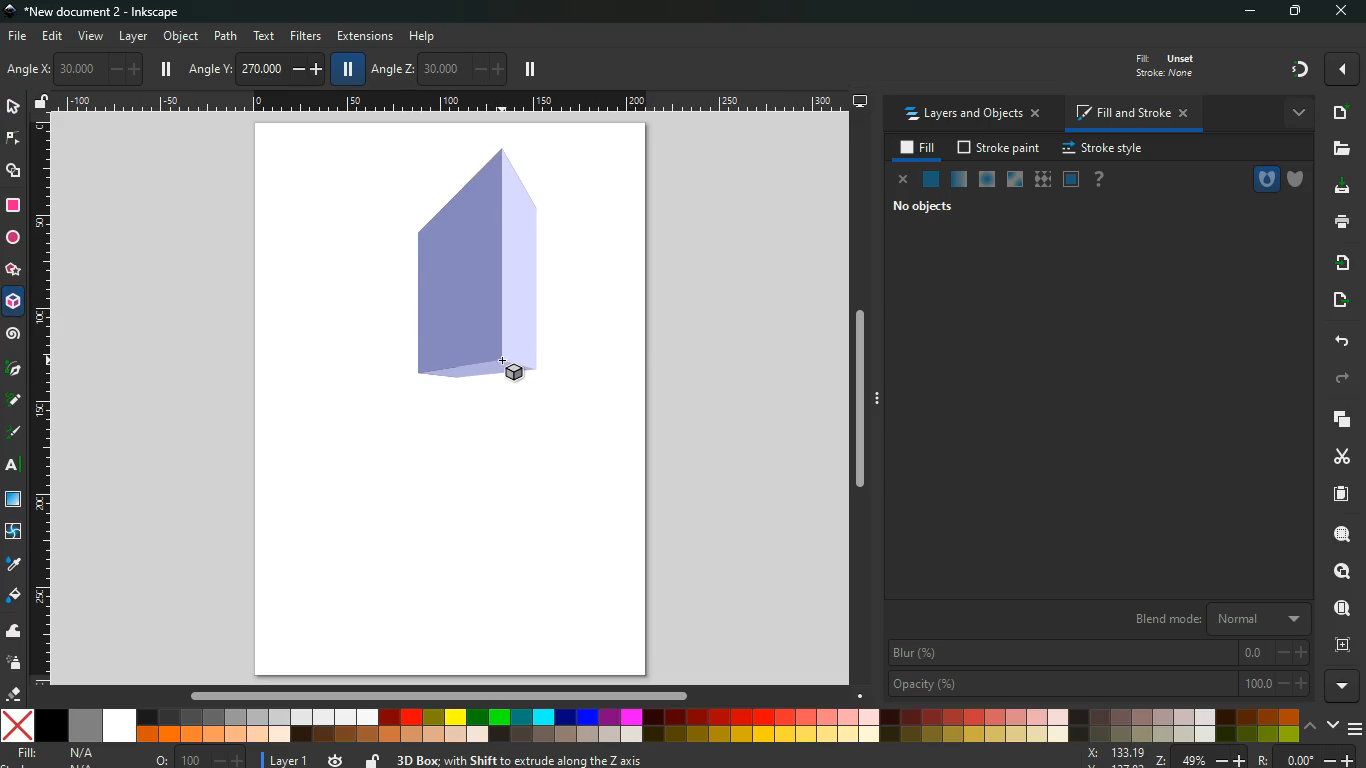 The image size is (1366, 768). Describe the element at coordinates (336, 756) in the screenshot. I see `time` at that location.